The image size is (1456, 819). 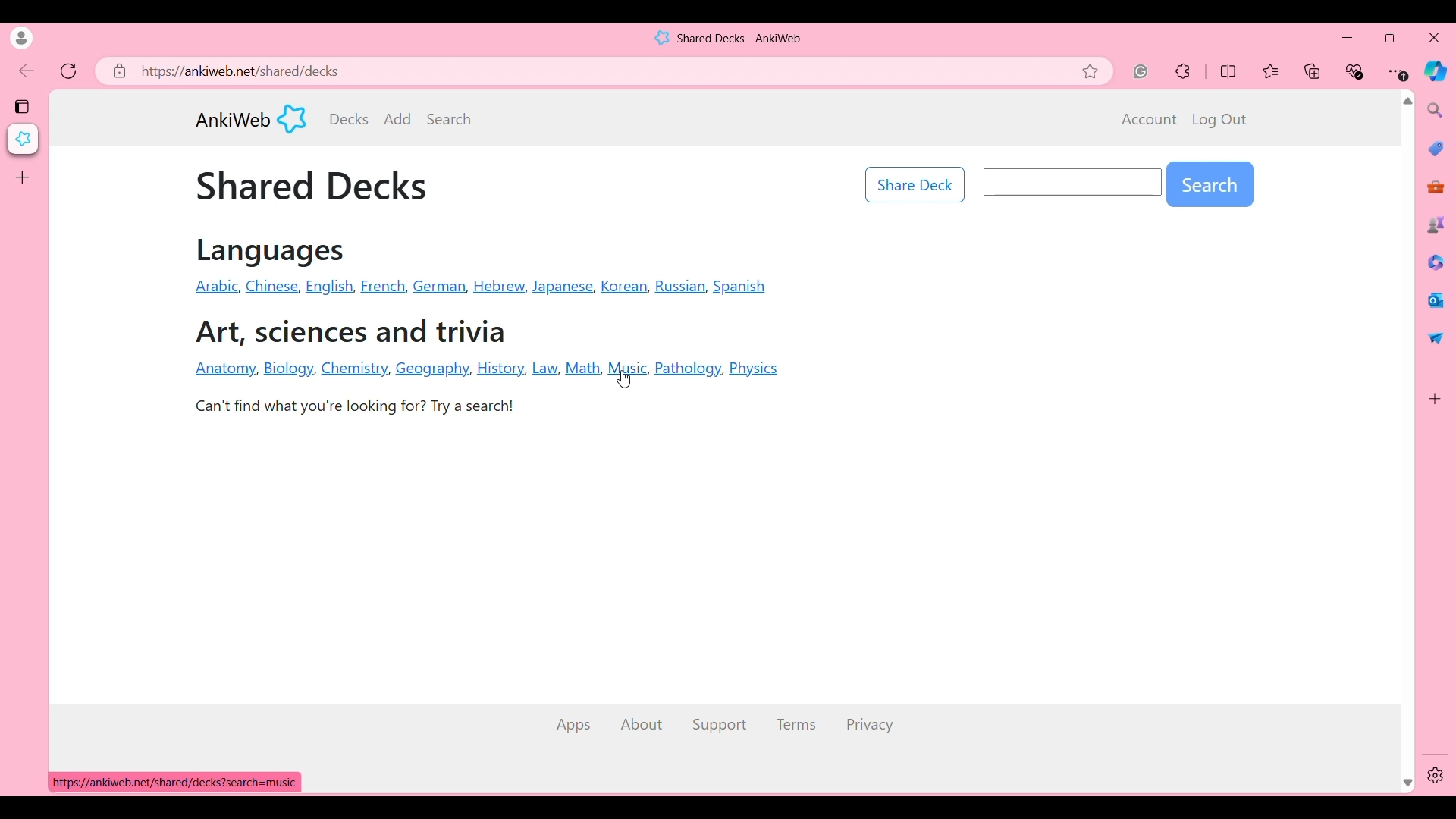 What do you see at coordinates (677, 287) in the screenshot?
I see `Russian` at bounding box center [677, 287].